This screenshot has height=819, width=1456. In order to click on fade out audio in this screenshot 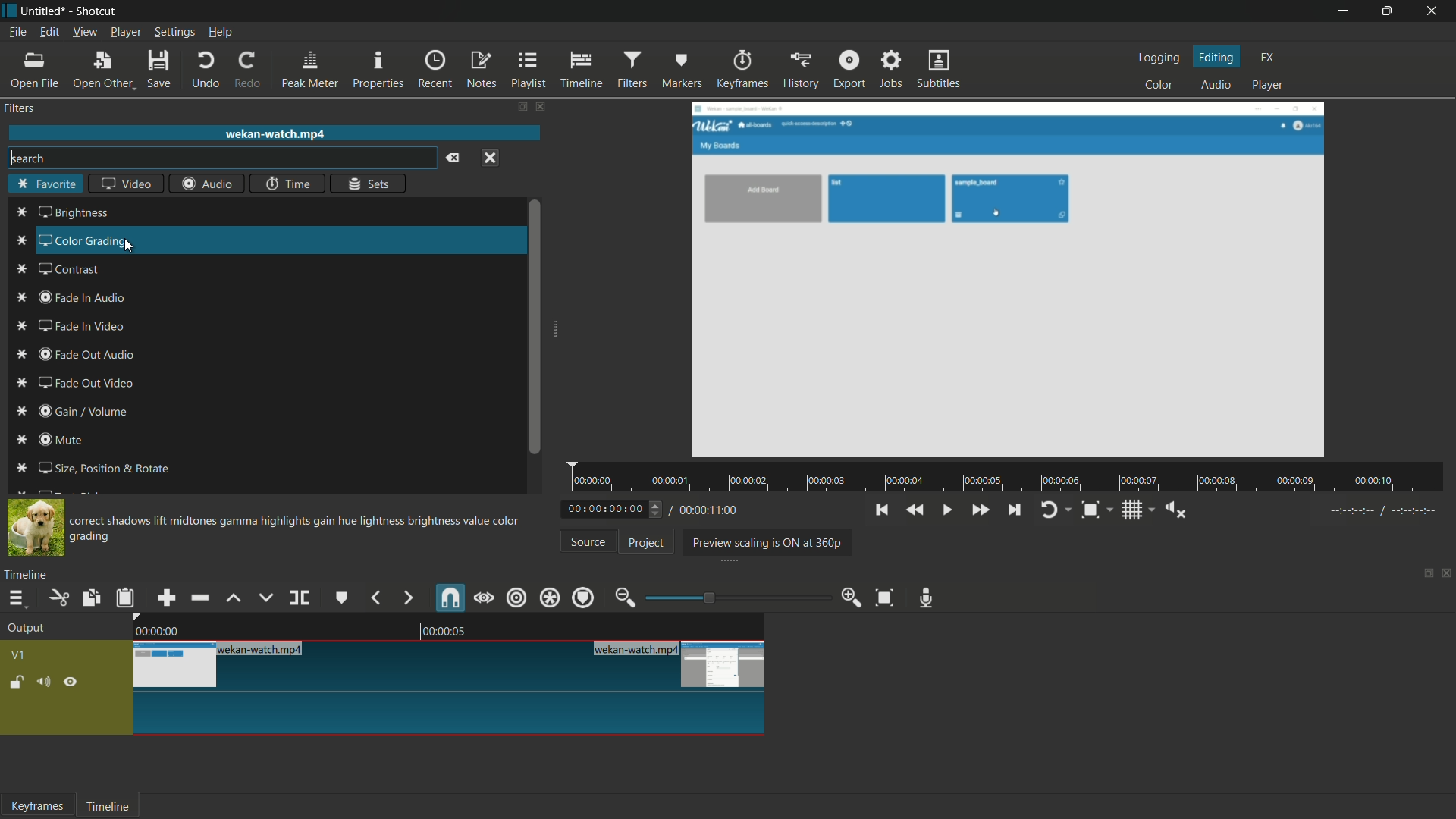, I will do `click(77, 355)`.